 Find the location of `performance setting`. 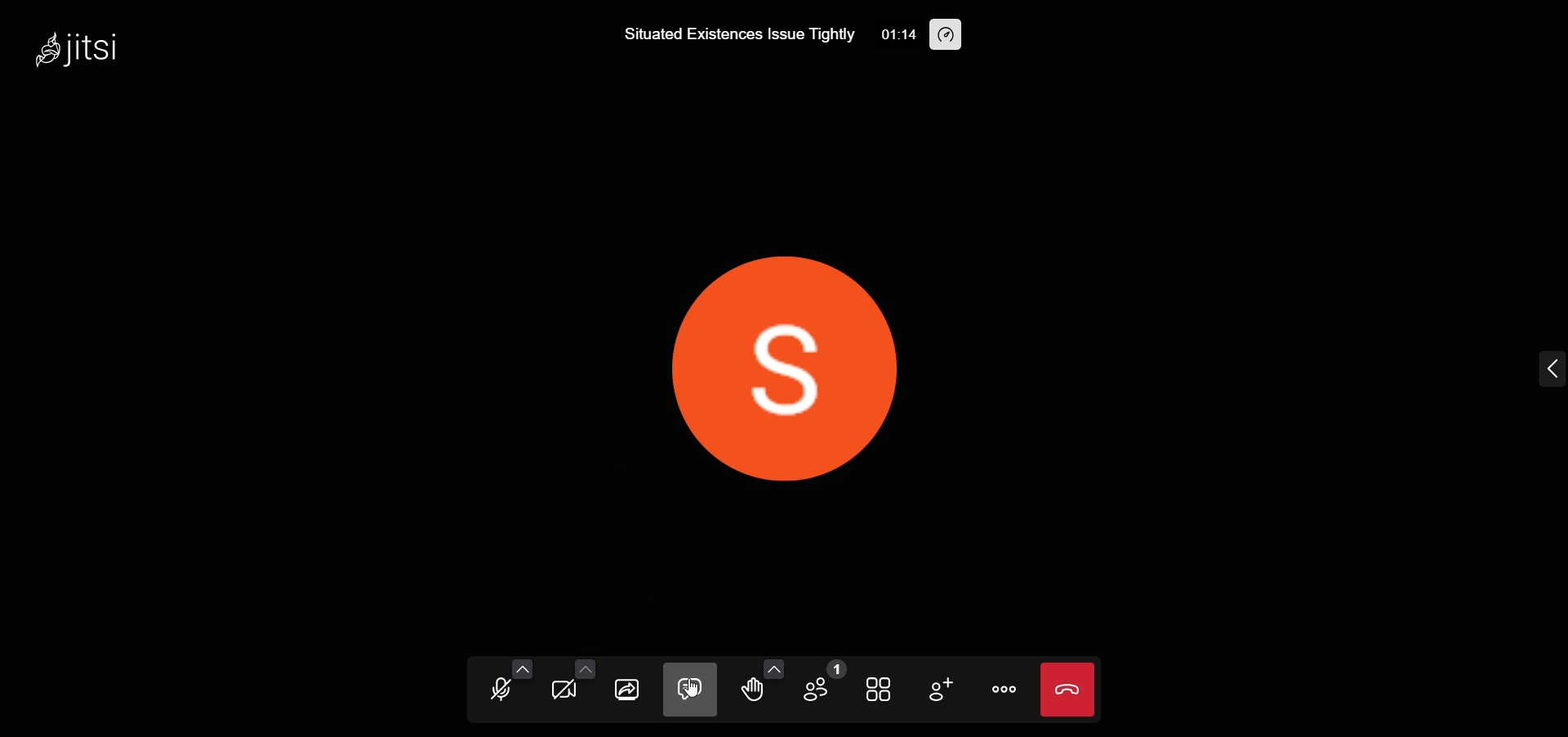

performance setting is located at coordinates (944, 38).